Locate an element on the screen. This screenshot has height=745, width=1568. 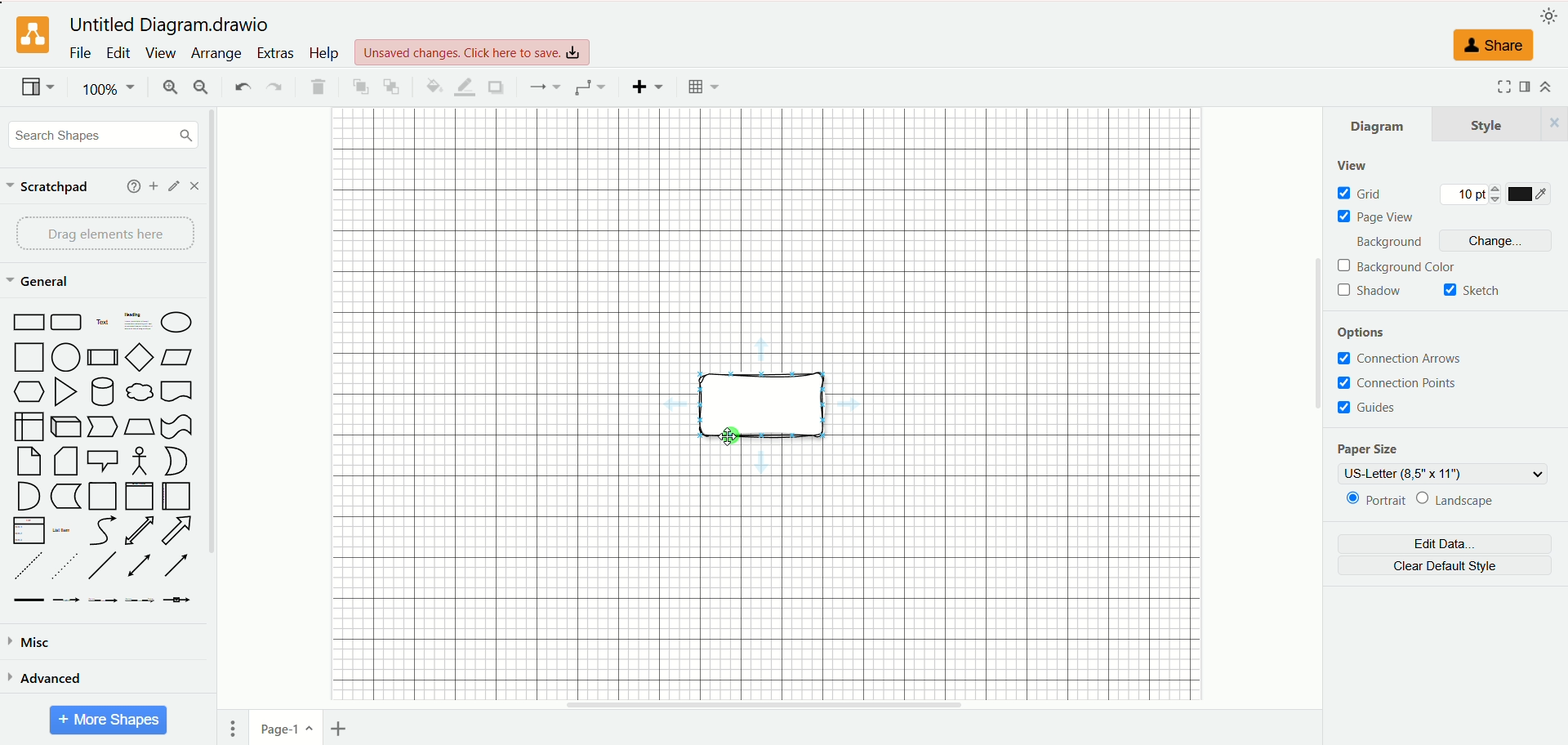
more shapes is located at coordinates (109, 720).